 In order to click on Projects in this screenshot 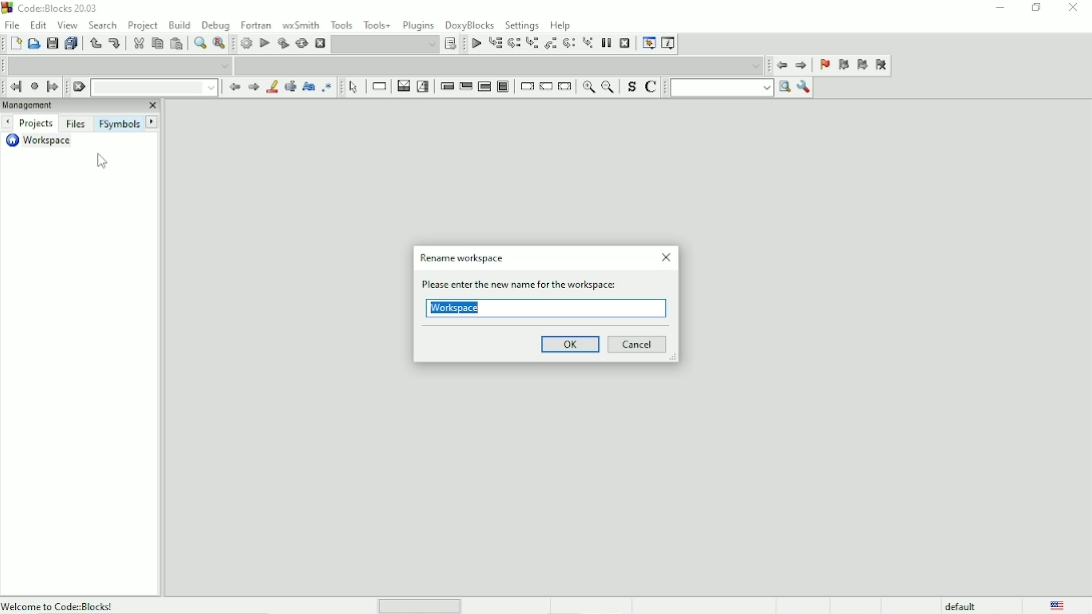, I will do `click(38, 123)`.